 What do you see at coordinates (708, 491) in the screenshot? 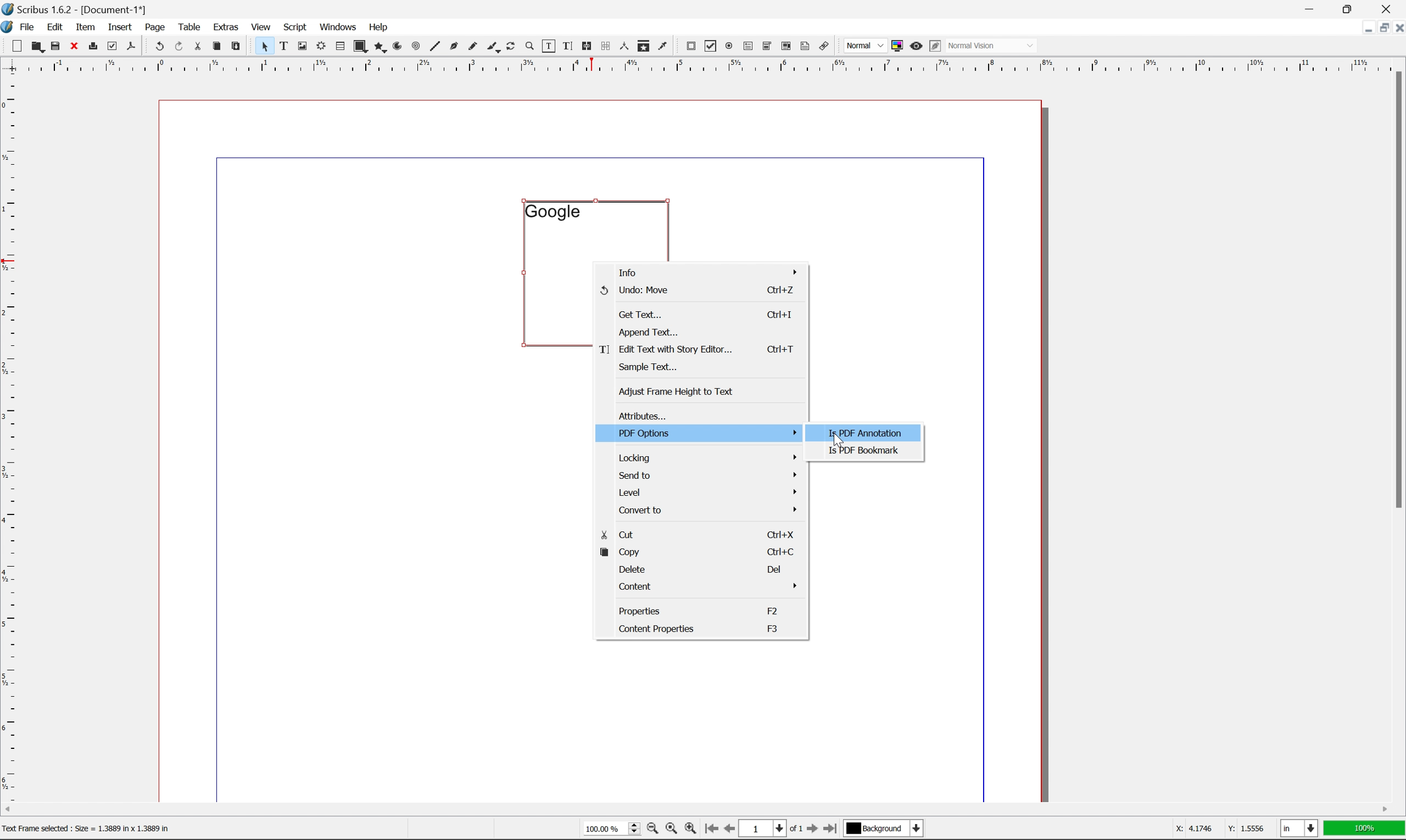
I see `level` at bounding box center [708, 491].